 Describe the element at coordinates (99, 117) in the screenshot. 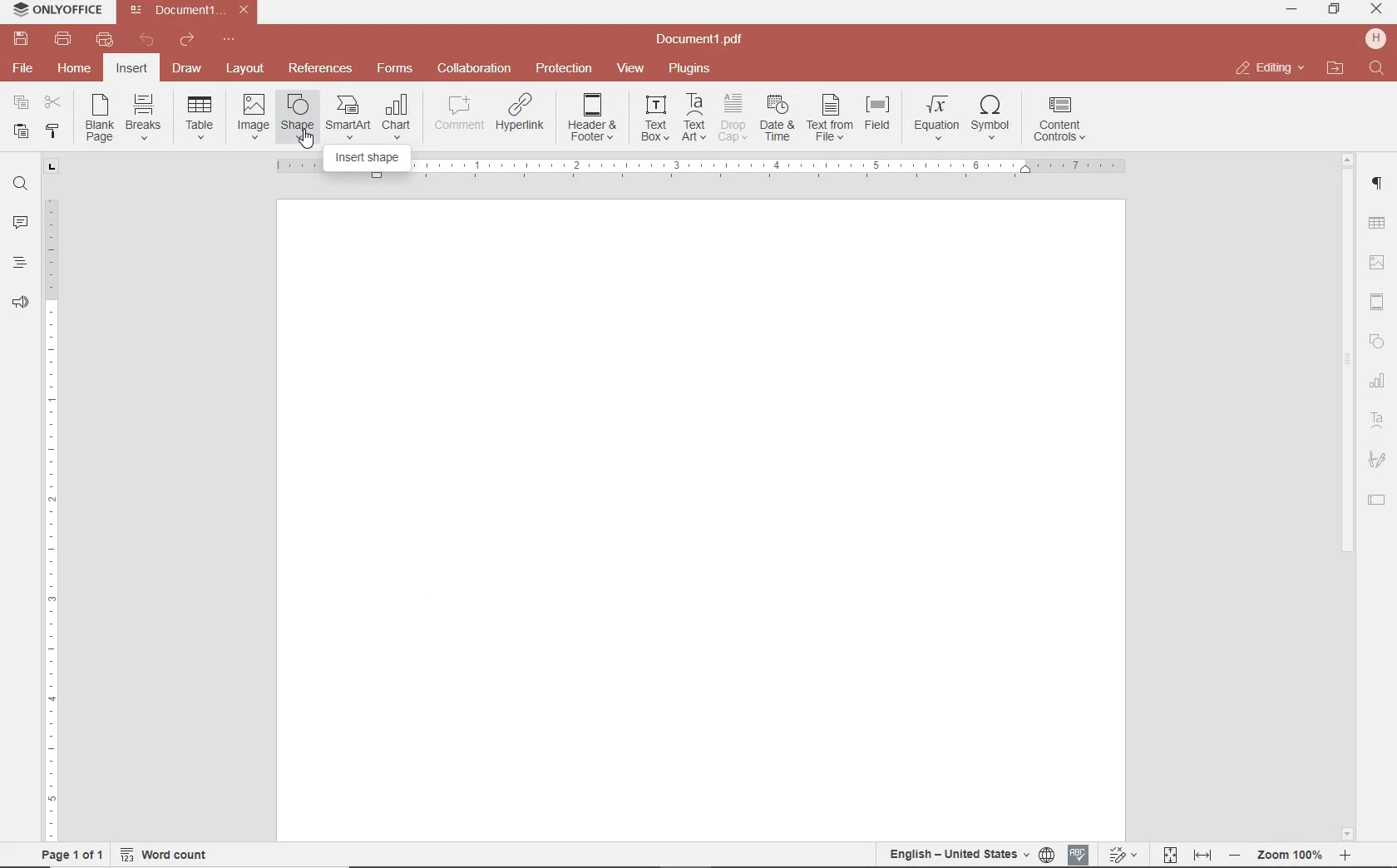

I see `INSERT BLANK PAGE` at that location.